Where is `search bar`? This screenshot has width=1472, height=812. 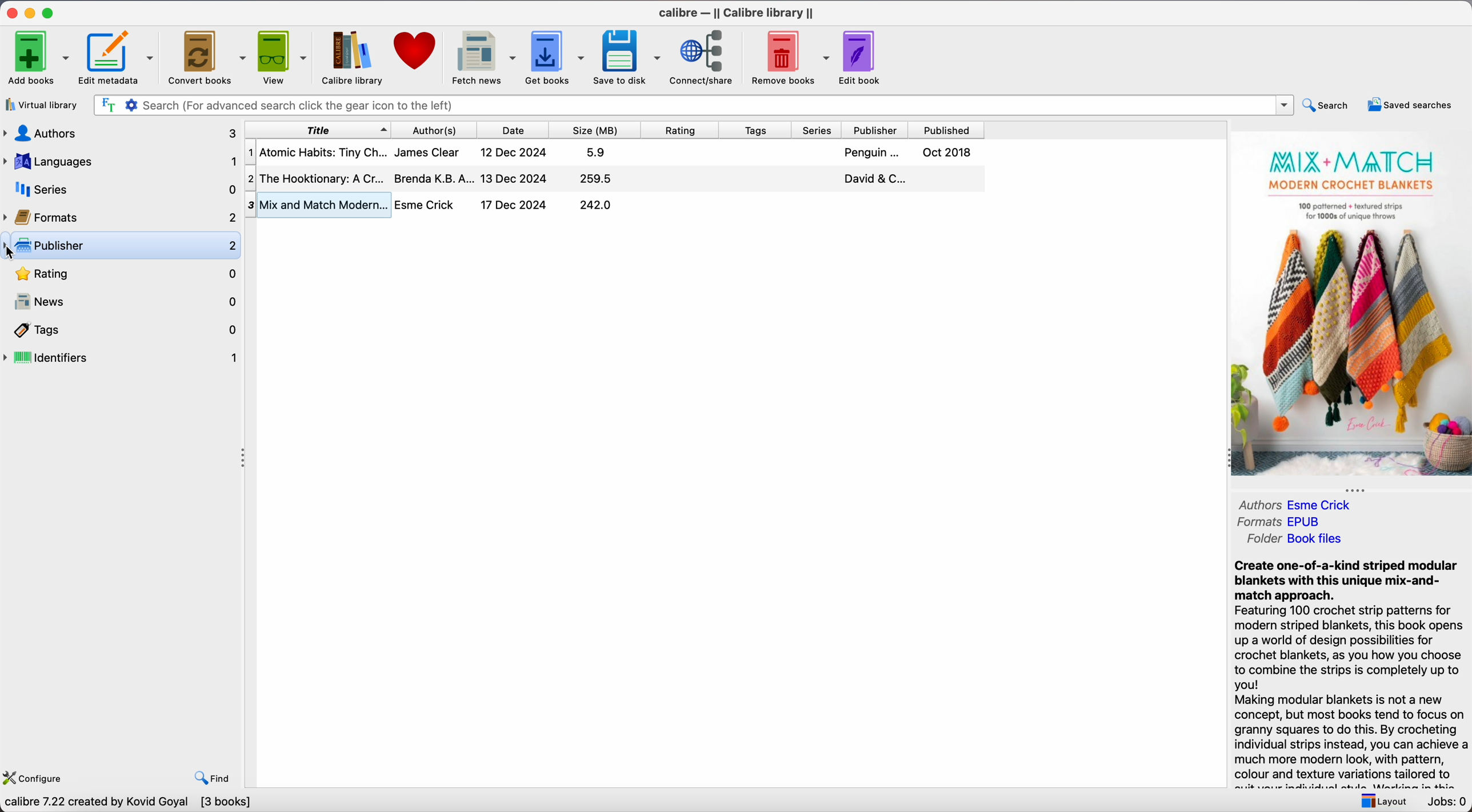 search bar is located at coordinates (692, 105).